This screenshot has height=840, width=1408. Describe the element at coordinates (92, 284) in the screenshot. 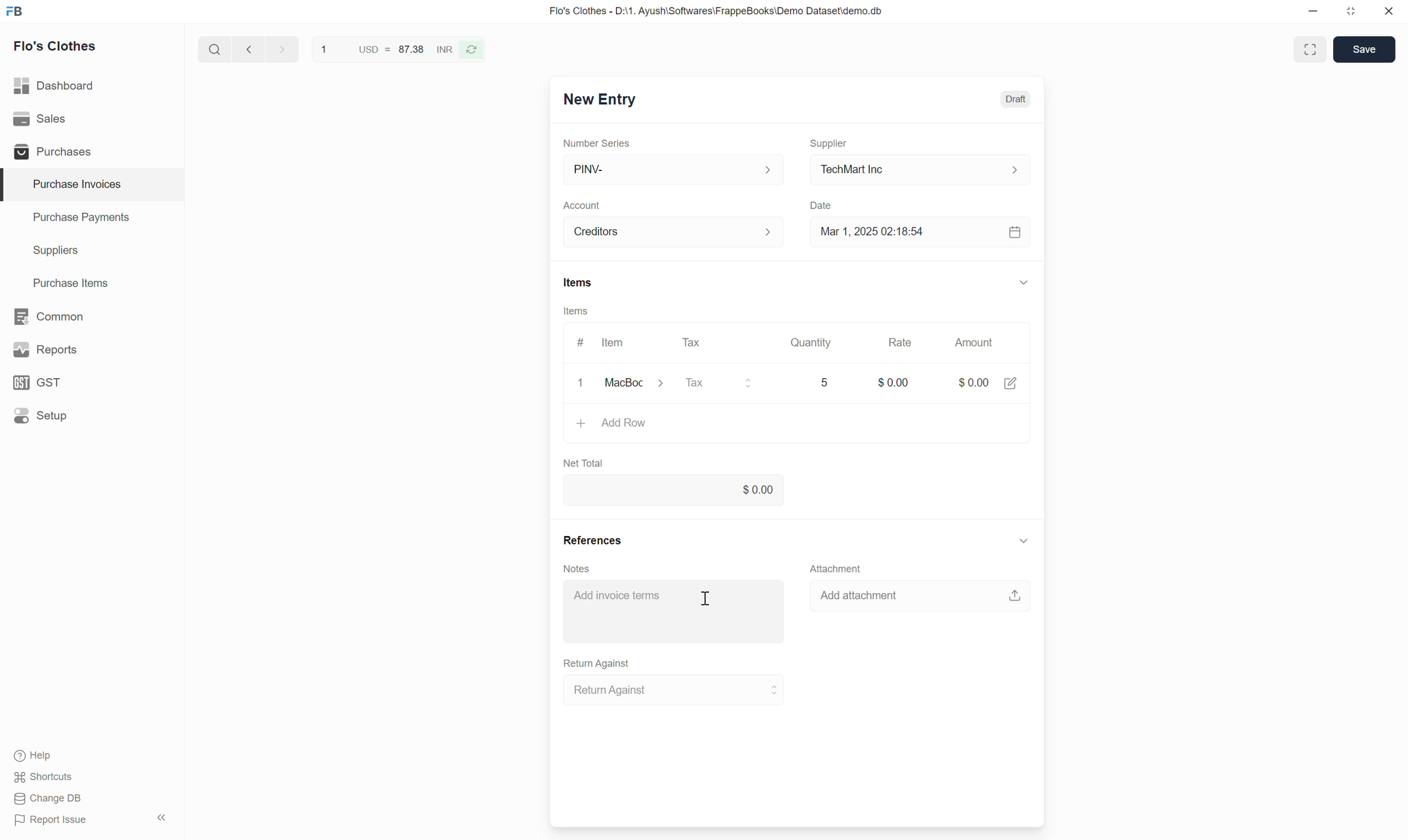

I see `Purchase Items` at that location.